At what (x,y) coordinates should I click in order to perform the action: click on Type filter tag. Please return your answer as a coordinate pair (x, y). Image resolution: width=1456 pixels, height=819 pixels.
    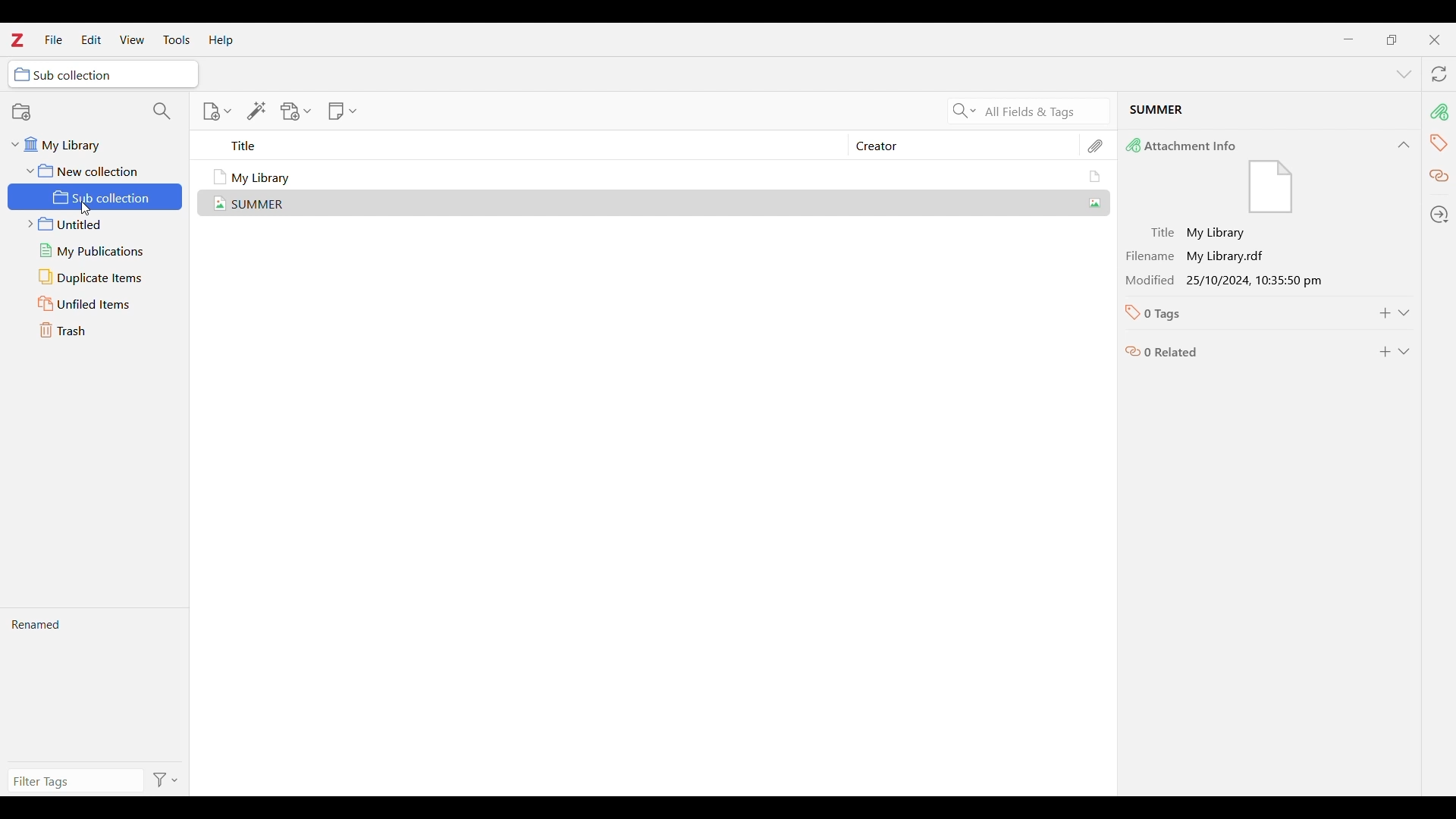
    Looking at the image, I should click on (73, 781).